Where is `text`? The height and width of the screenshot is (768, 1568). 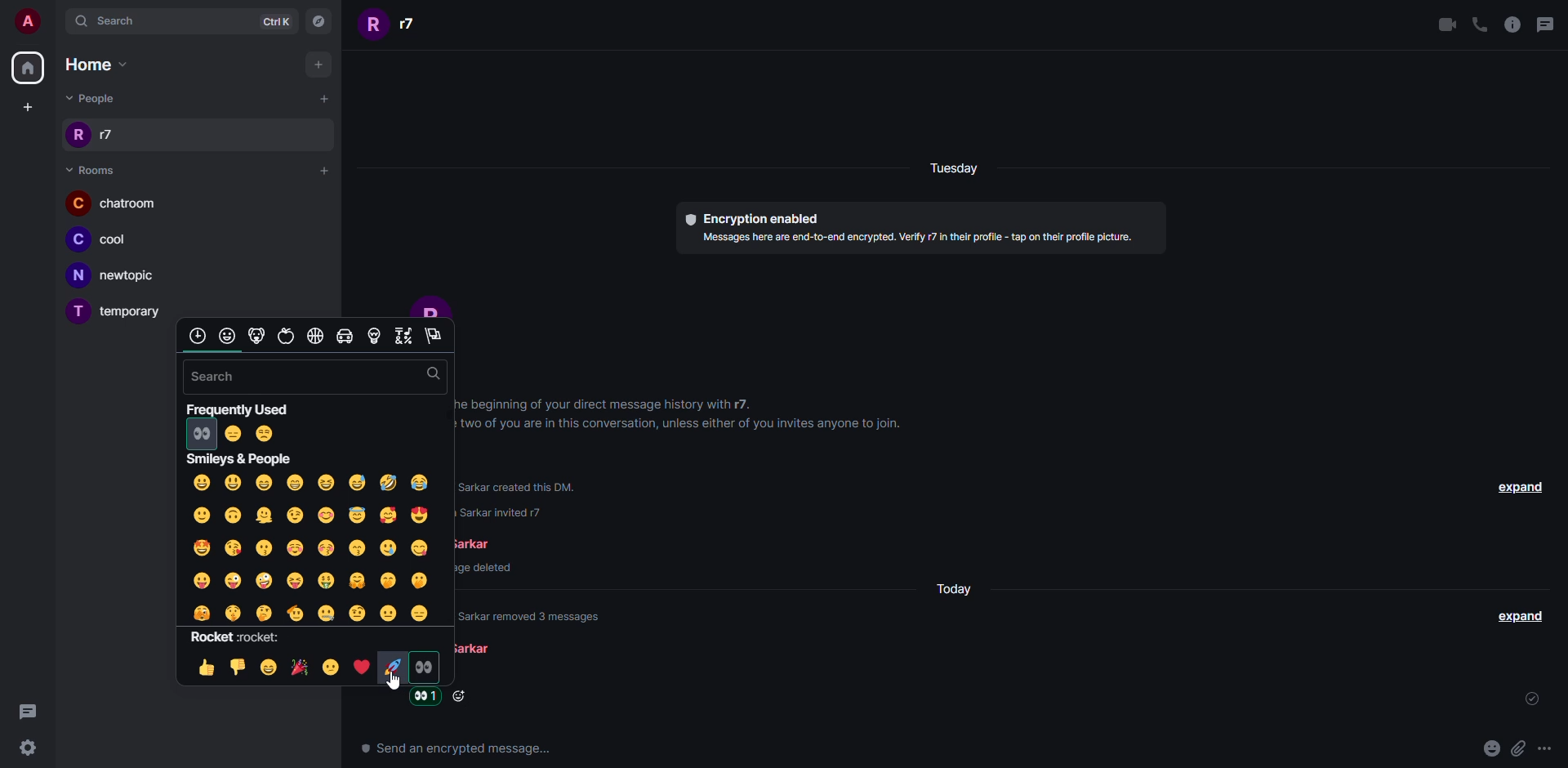
text is located at coordinates (503, 513).